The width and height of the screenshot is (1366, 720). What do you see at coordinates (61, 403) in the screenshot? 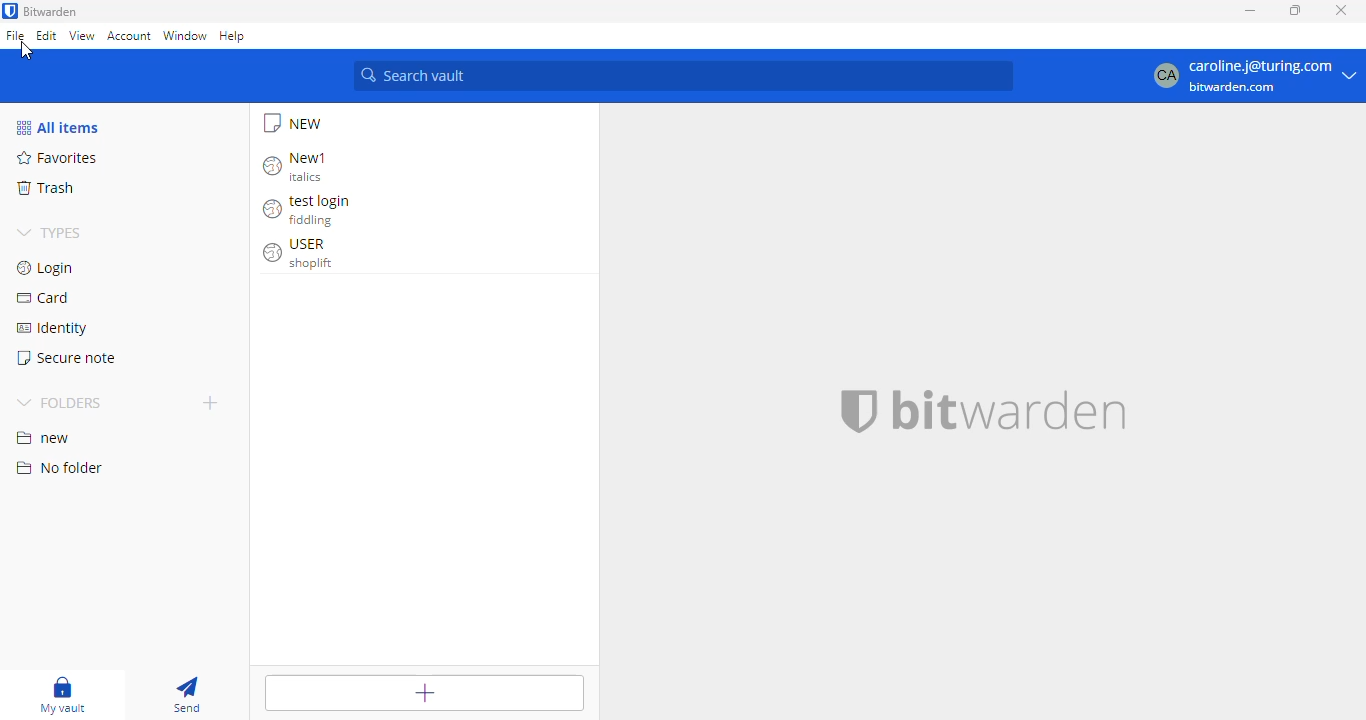
I see `folders` at bounding box center [61, 403].